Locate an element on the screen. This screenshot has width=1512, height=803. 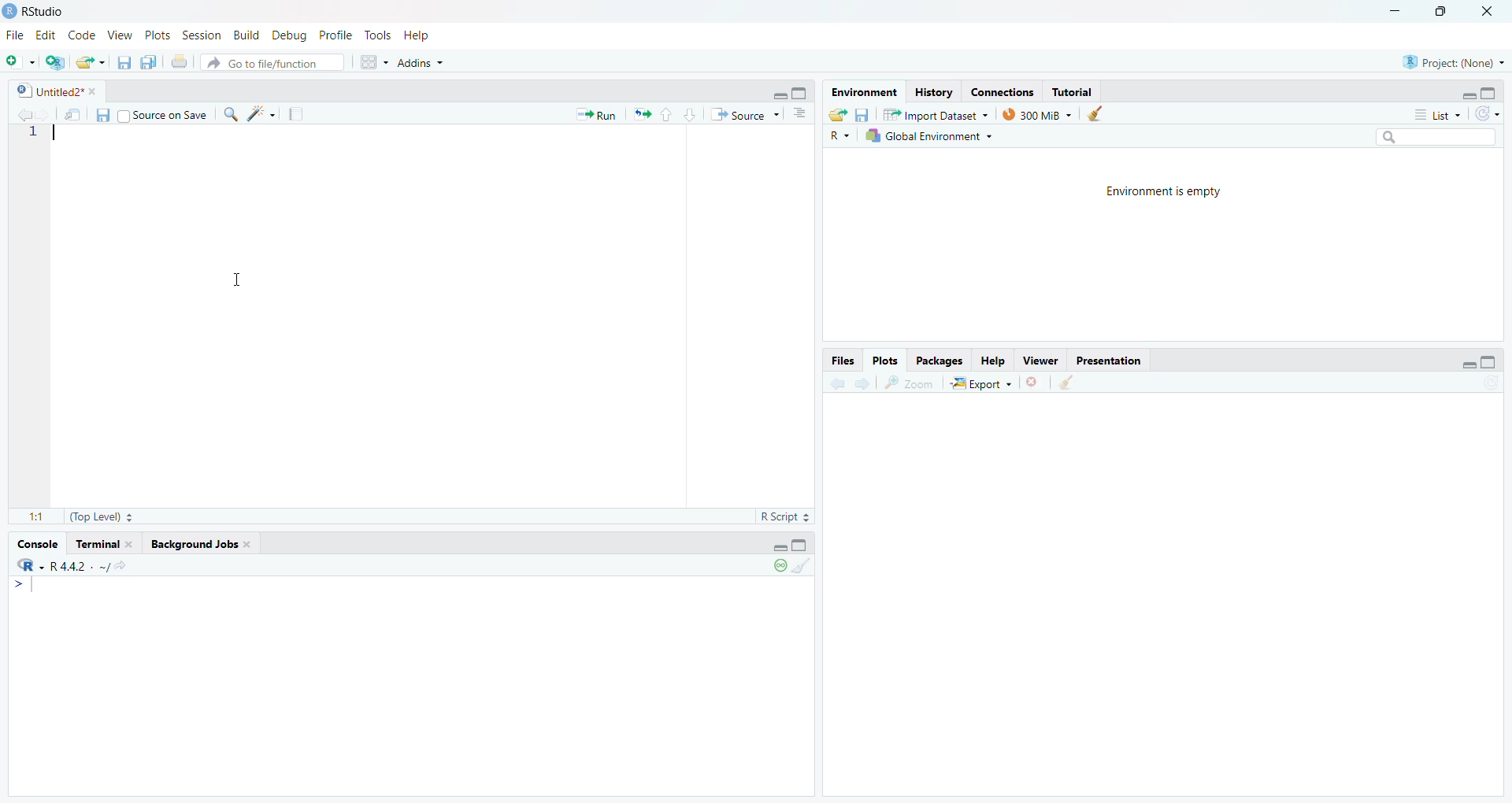
(Top Level)  is located at coordinates (97, 519).